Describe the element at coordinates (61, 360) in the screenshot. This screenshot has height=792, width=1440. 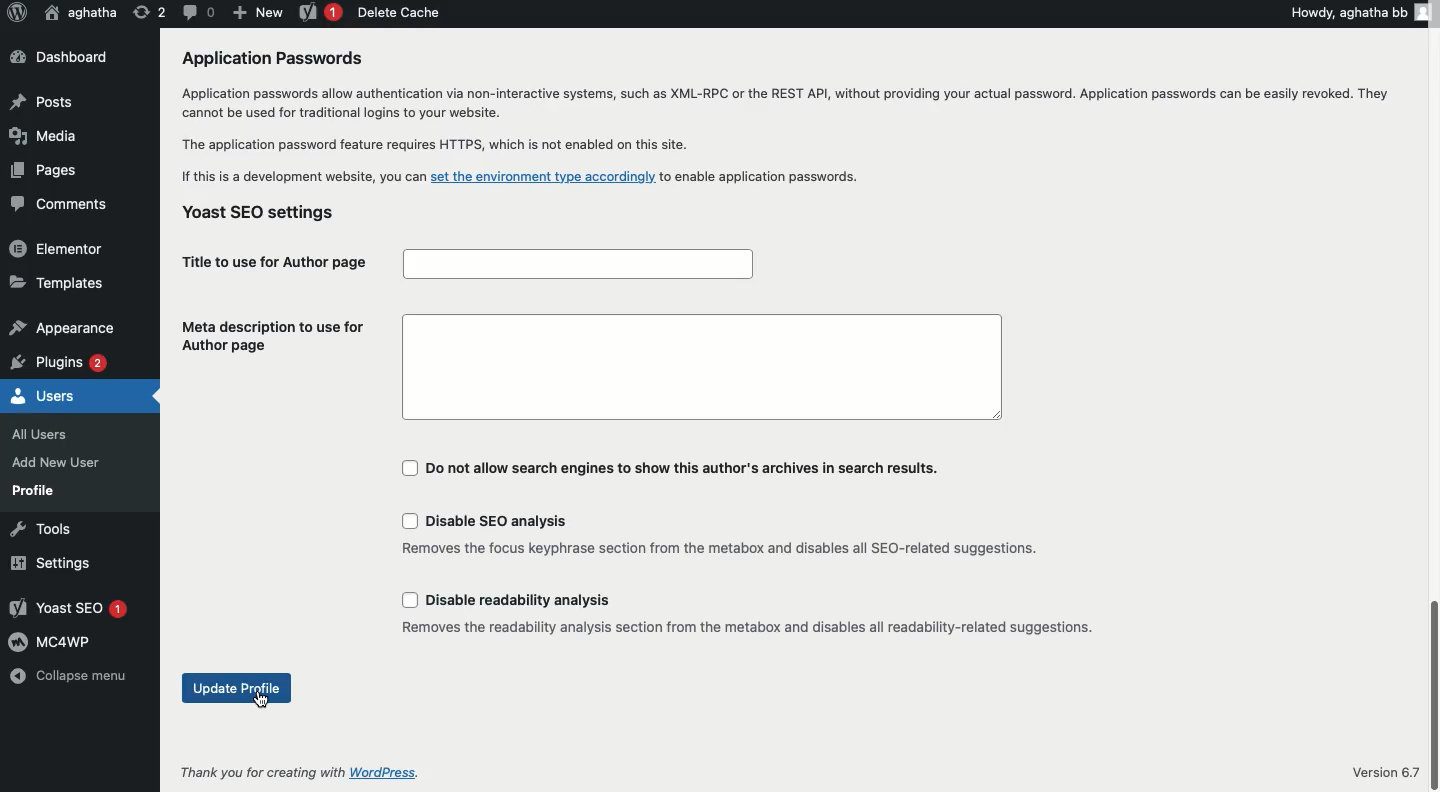
I see `Plugins` at that location.